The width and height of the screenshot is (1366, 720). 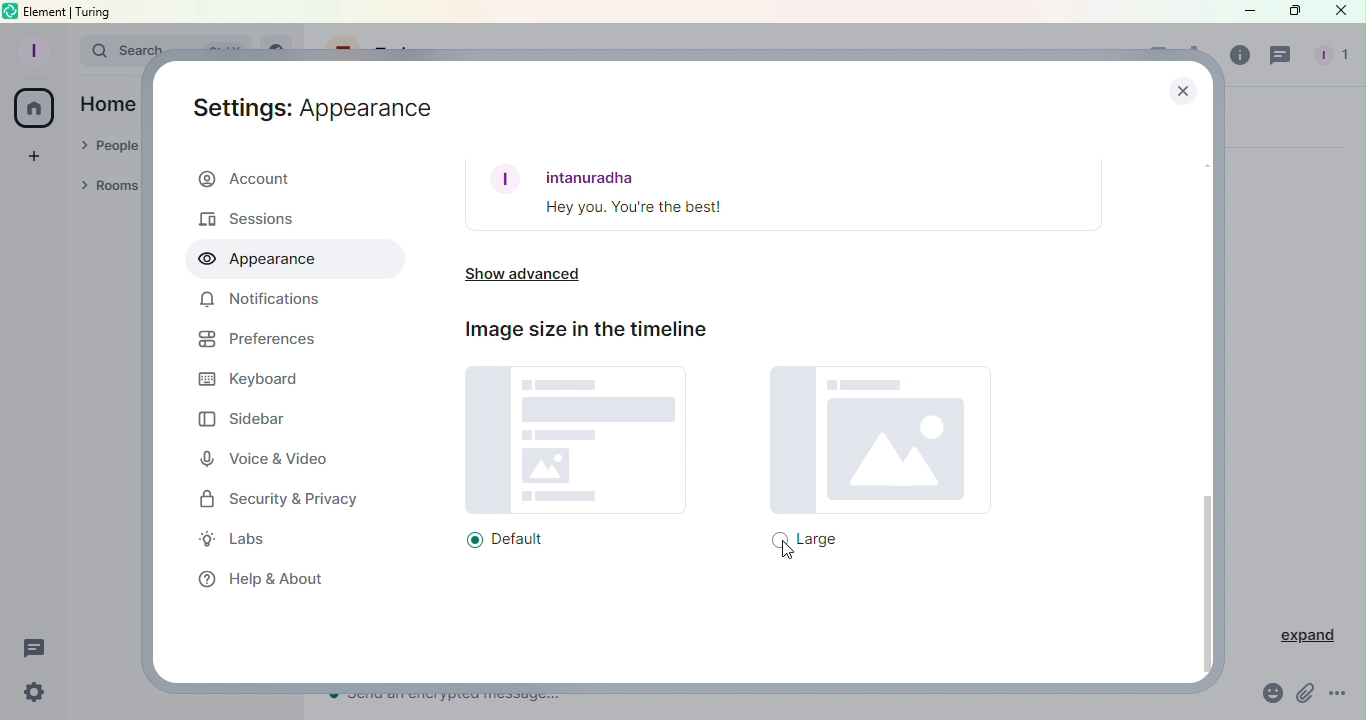 What do you see at coordinates (785, 194) in the screenshot?
I see `Font example` at bounding box center [785, 194].